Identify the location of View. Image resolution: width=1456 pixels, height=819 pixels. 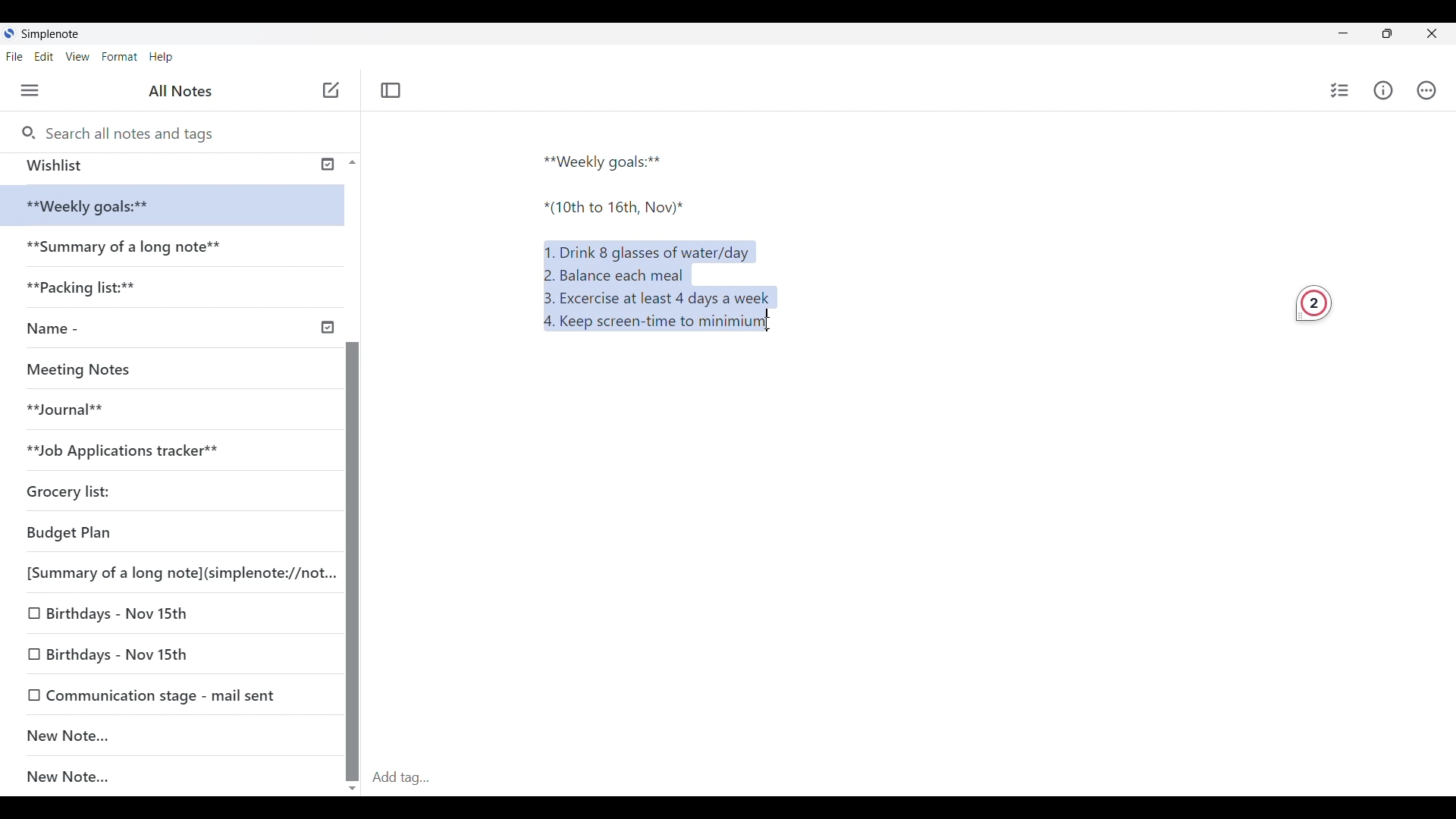
(80, 58).